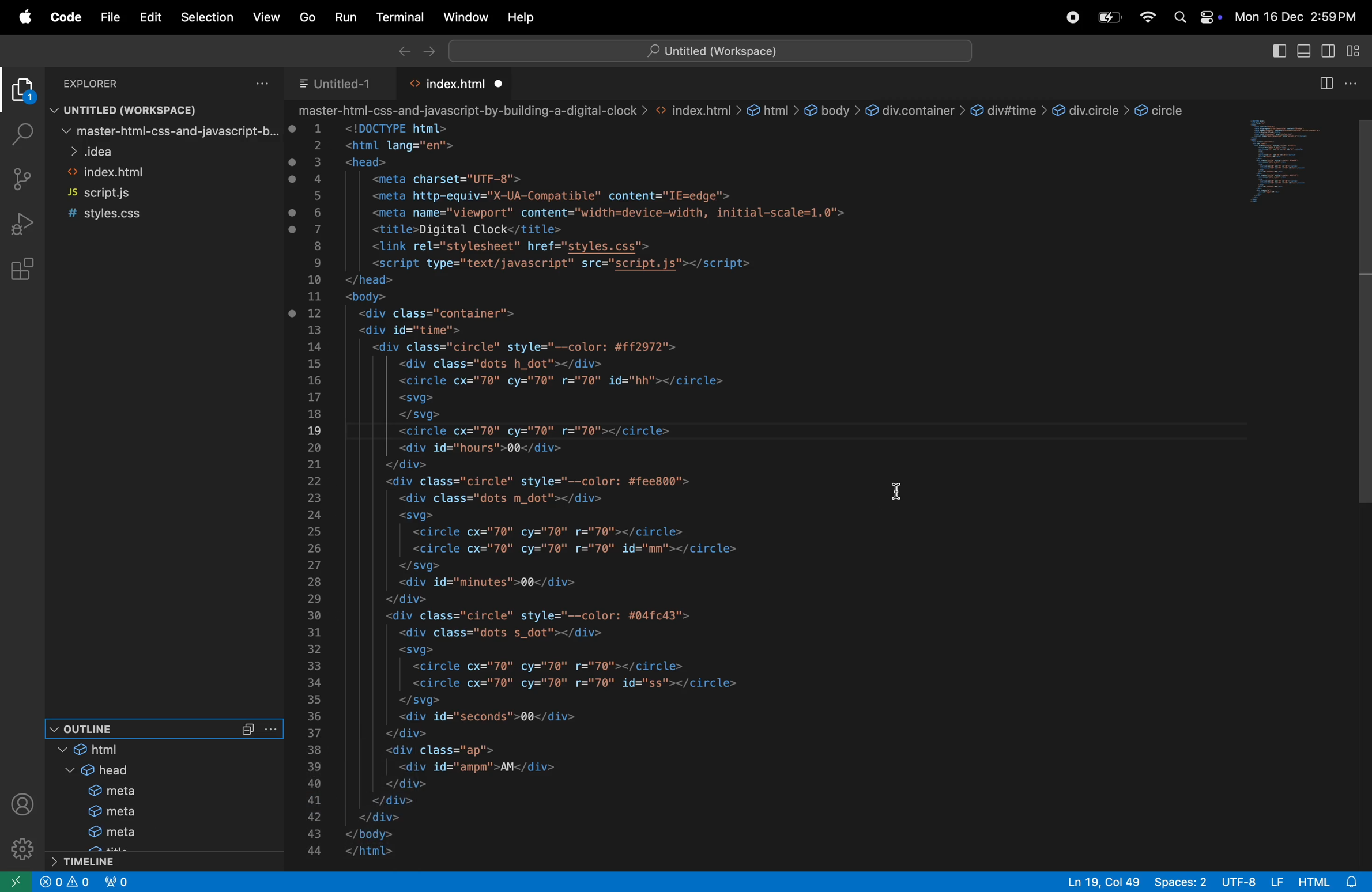 This screenshot has height=892, width=1372. I want to click on script.js, so click(129, 193).